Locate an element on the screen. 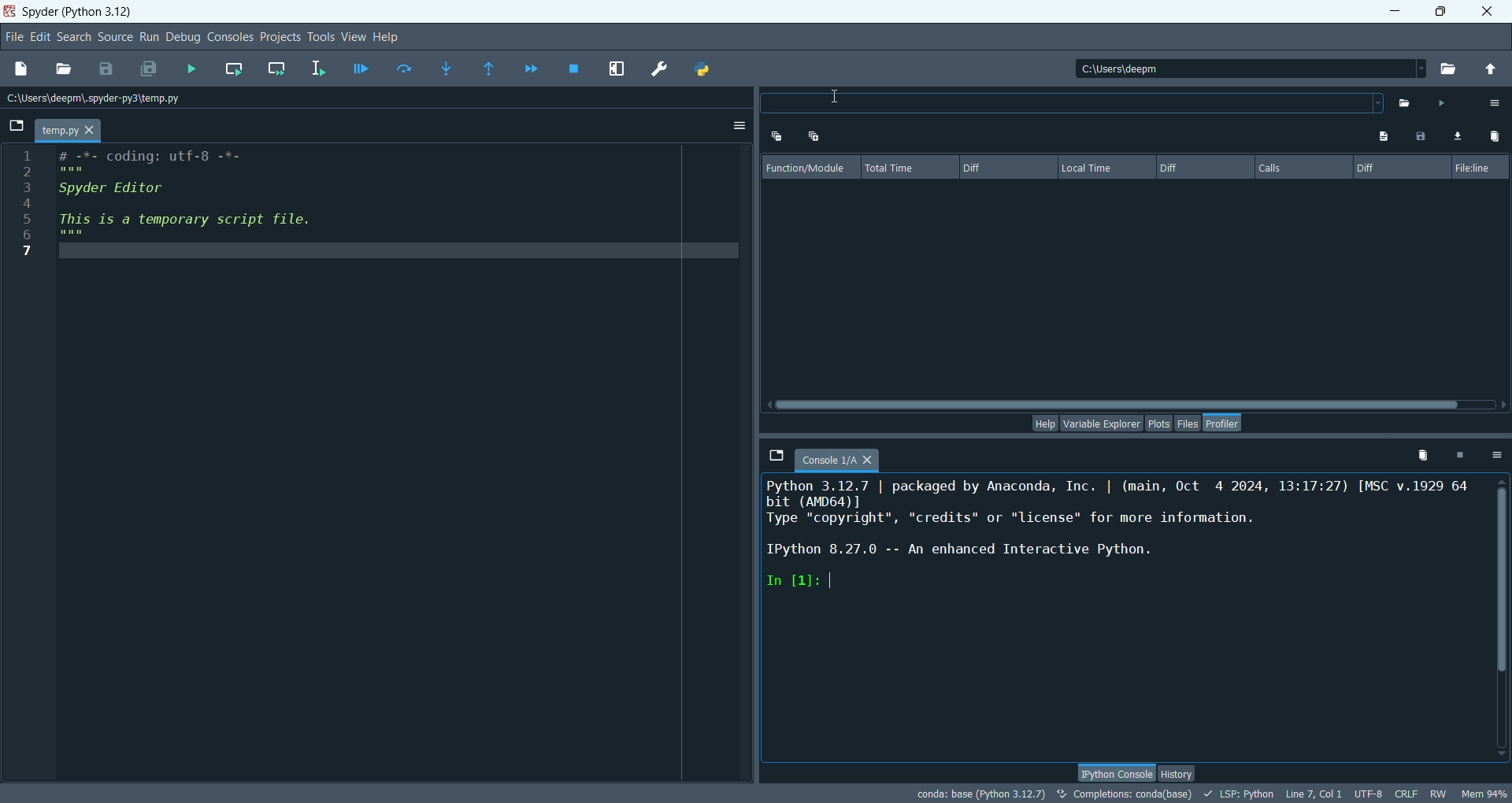  run current cell is located at coordinates (234, 68).